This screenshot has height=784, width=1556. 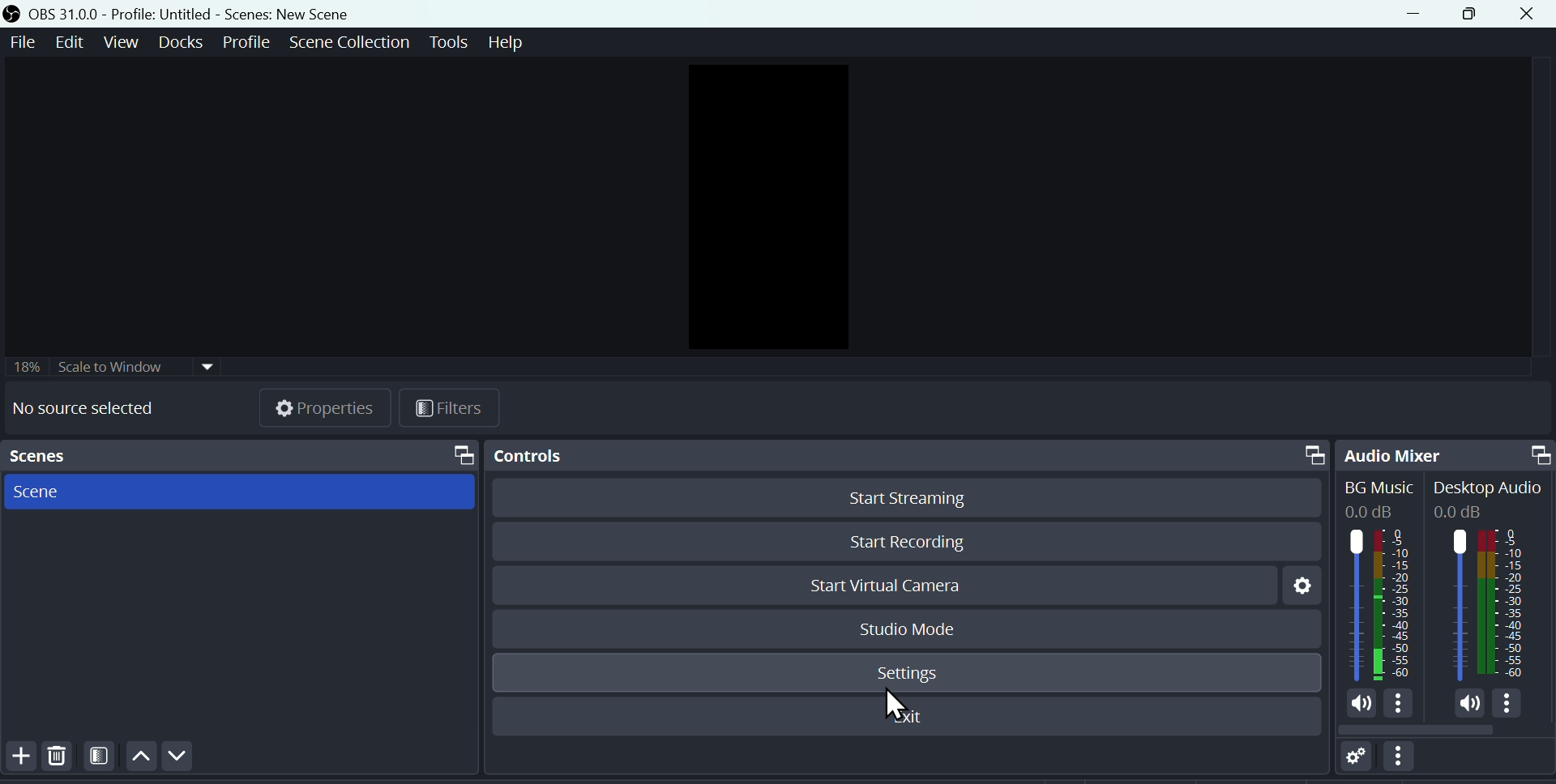 What do you see at coordinates (1531, 15) in the screenshot?
I see `Close` at bounding box center [1531, 15].